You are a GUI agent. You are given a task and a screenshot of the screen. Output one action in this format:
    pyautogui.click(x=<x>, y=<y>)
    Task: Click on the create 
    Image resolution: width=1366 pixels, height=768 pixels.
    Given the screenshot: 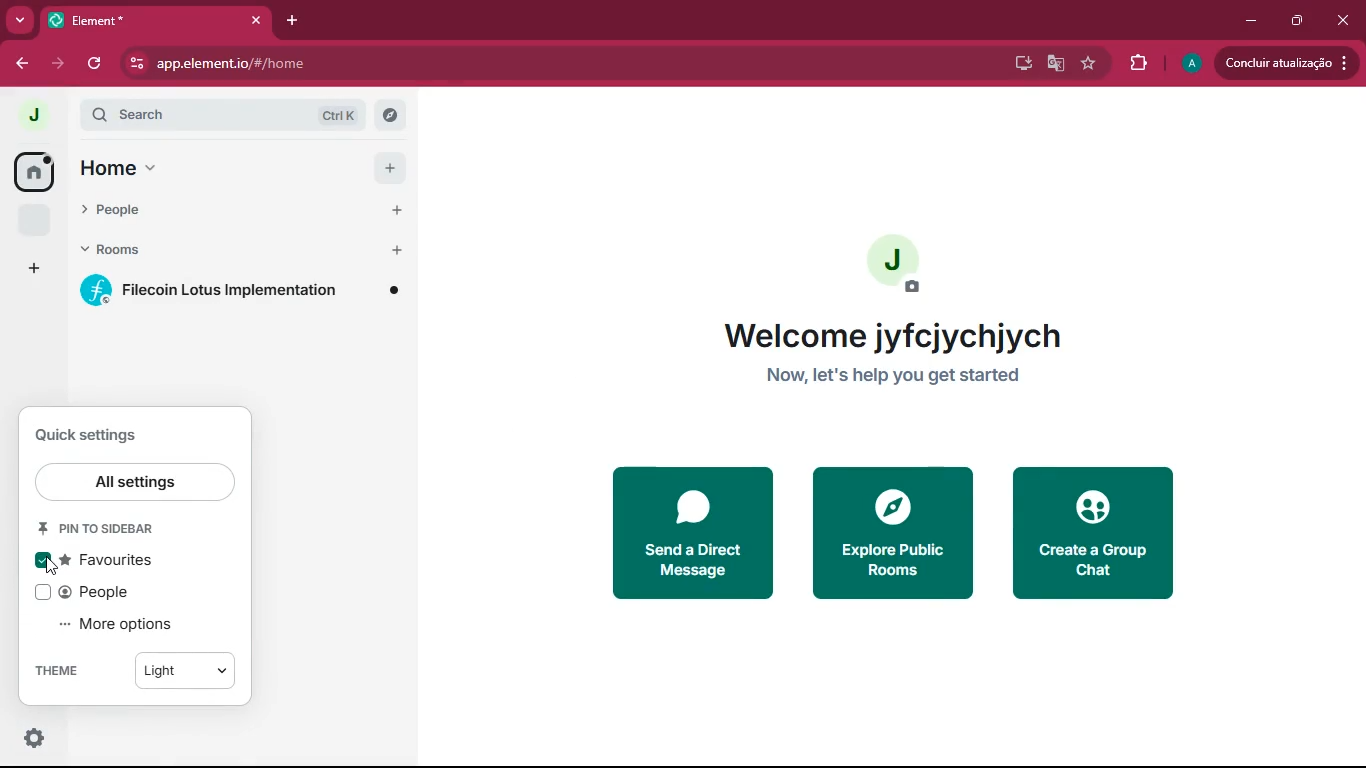 What is the action you would take?
    pyautogui.click(x=1098, y=534)
    